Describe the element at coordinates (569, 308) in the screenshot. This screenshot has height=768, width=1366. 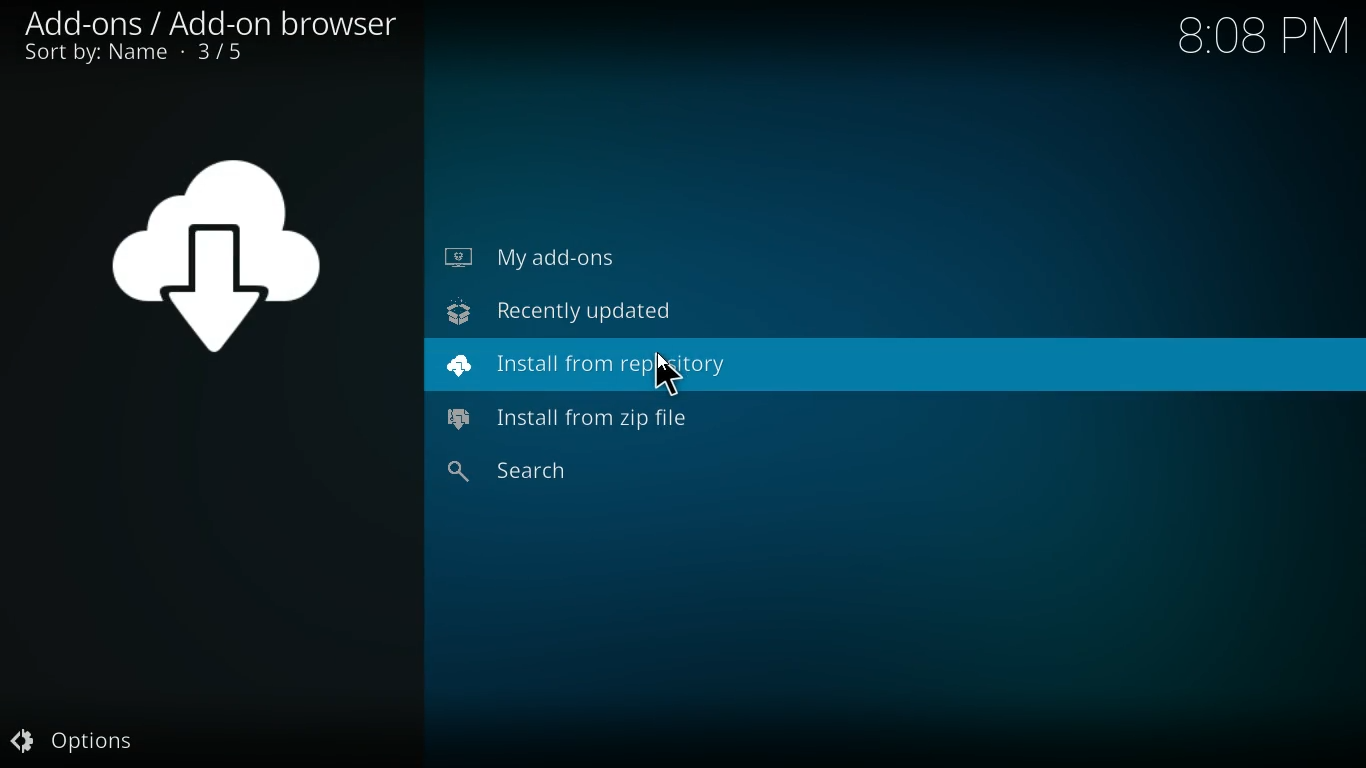
I see `recently updated` at that location.